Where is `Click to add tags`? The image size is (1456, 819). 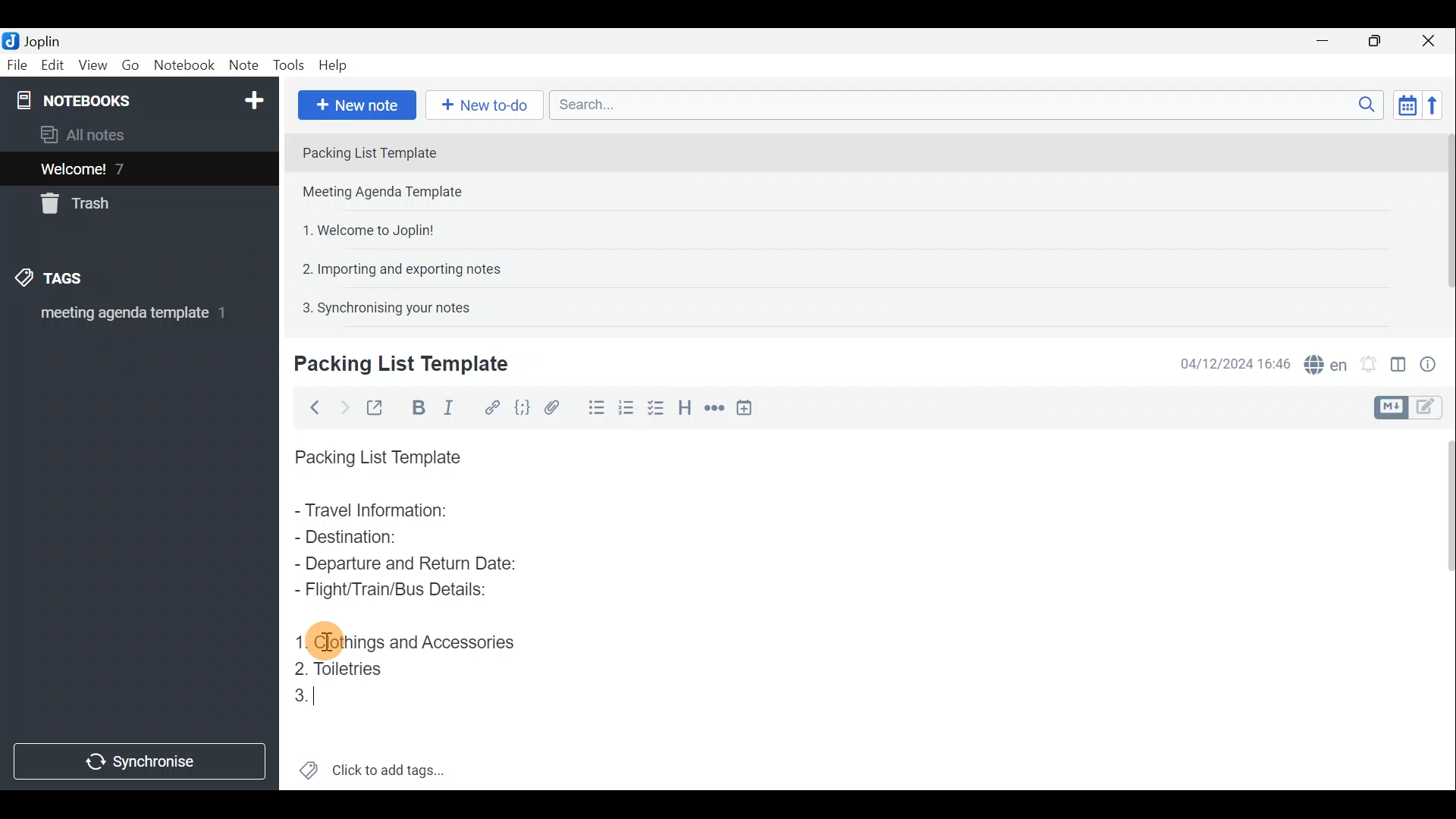
Click to add tags is located at coordinates (372, 766).